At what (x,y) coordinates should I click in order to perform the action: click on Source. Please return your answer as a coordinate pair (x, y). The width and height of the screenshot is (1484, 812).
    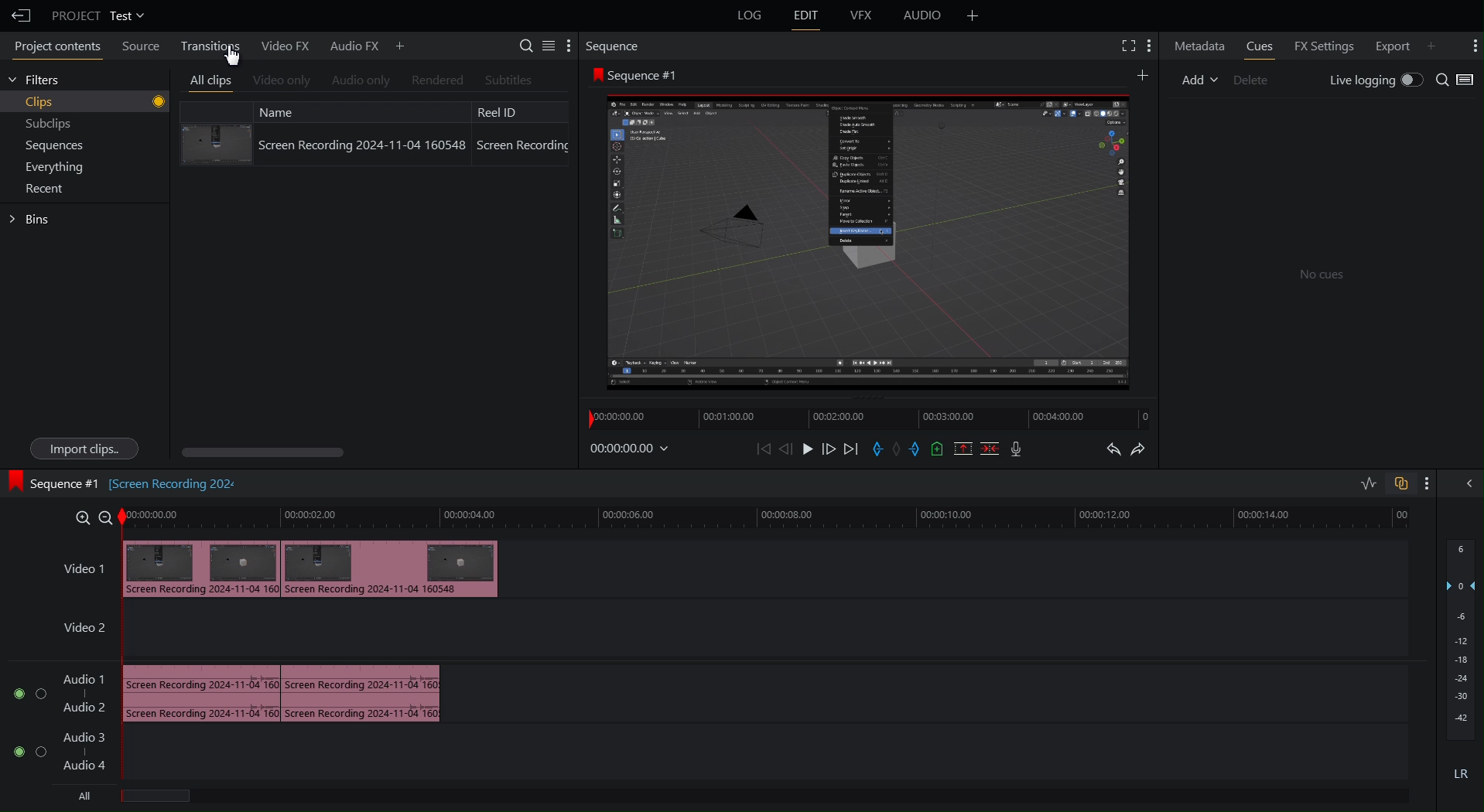
    Looking at the image, I should click on (142, 46).